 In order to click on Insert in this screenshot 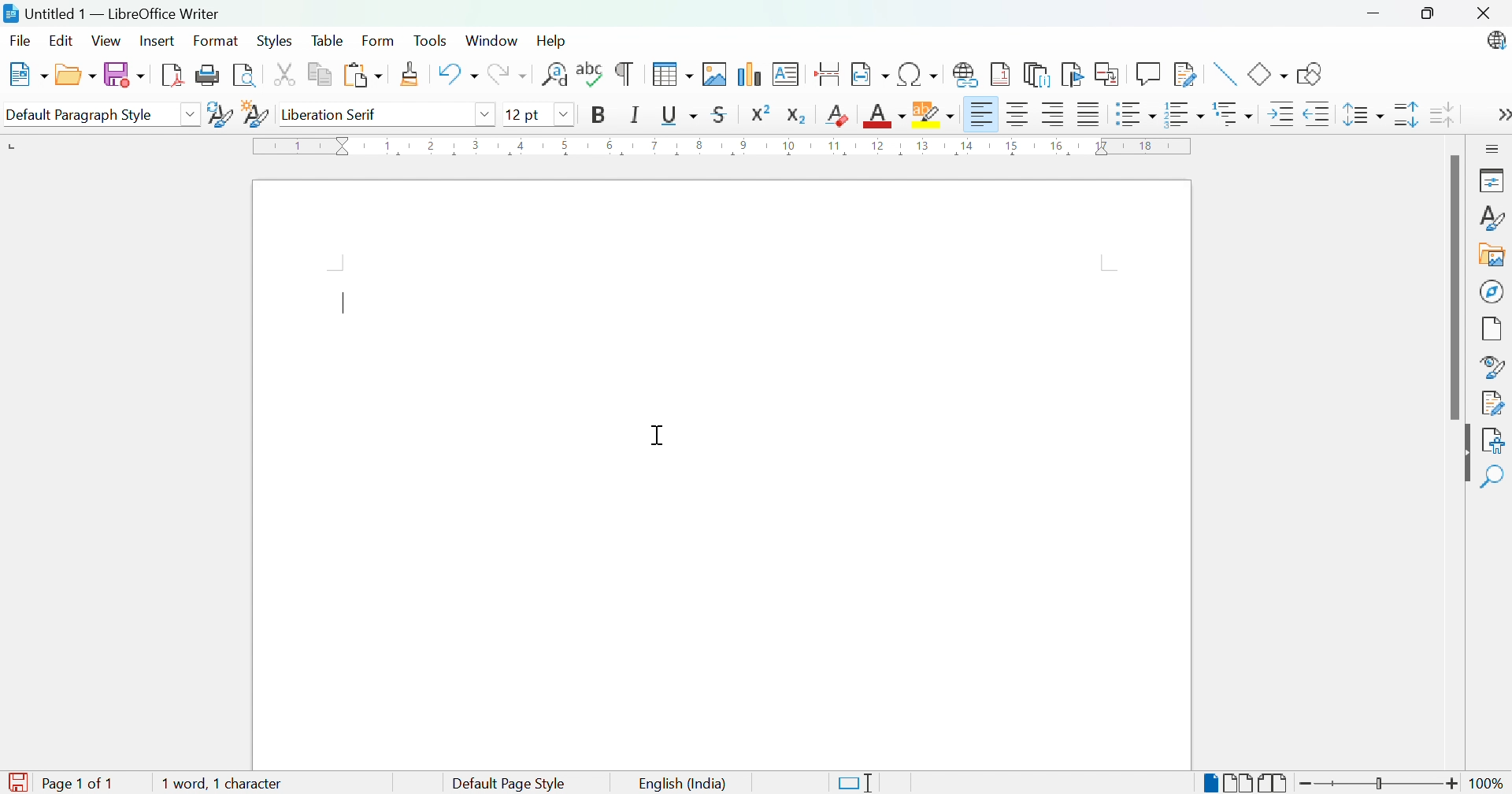, I will do `click(159, 40)`.